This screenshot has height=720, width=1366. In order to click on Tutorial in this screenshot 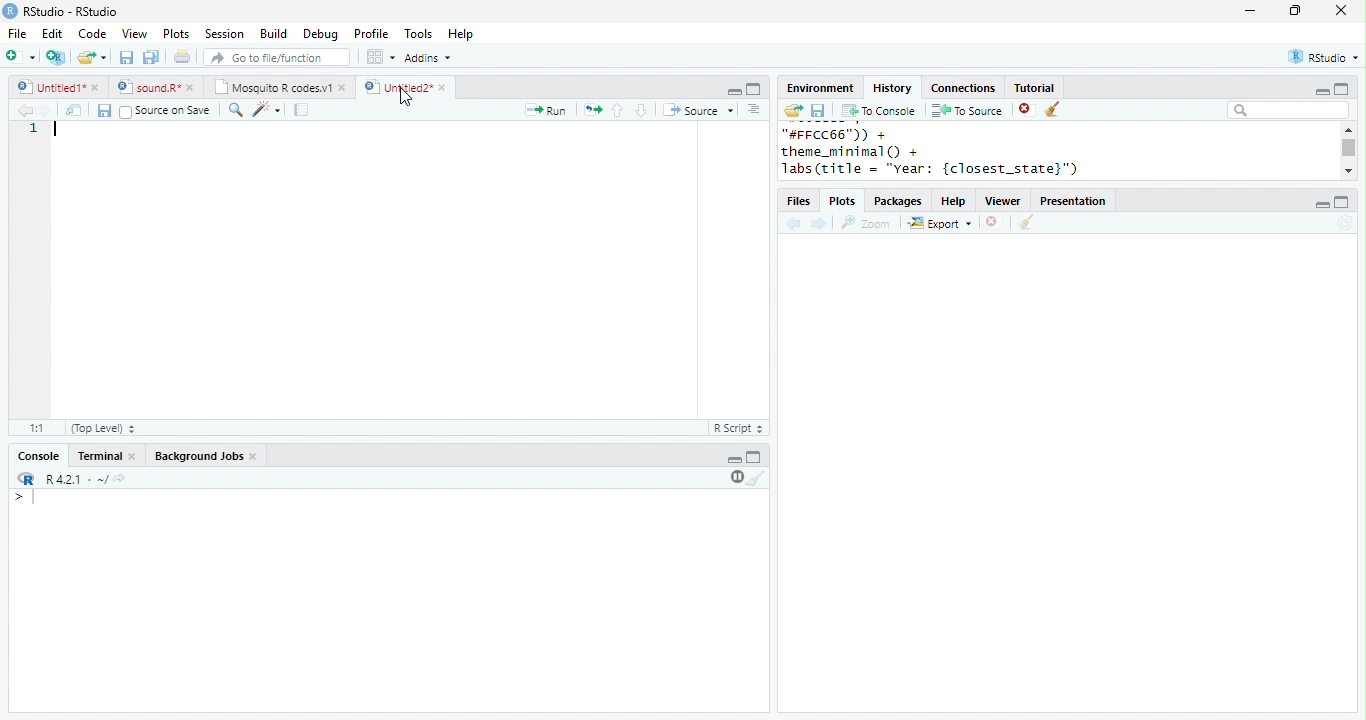, I will do `click(1035, 88)`.